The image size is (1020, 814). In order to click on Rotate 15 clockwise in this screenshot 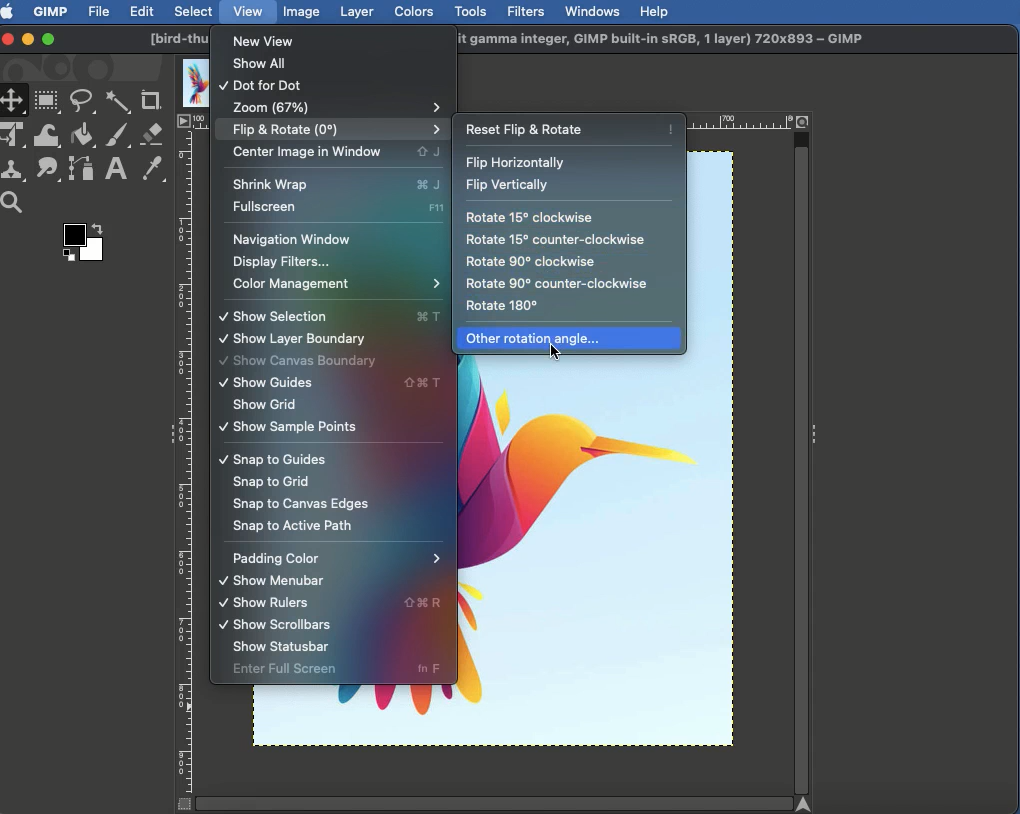, I will do `click(531, 219)`.